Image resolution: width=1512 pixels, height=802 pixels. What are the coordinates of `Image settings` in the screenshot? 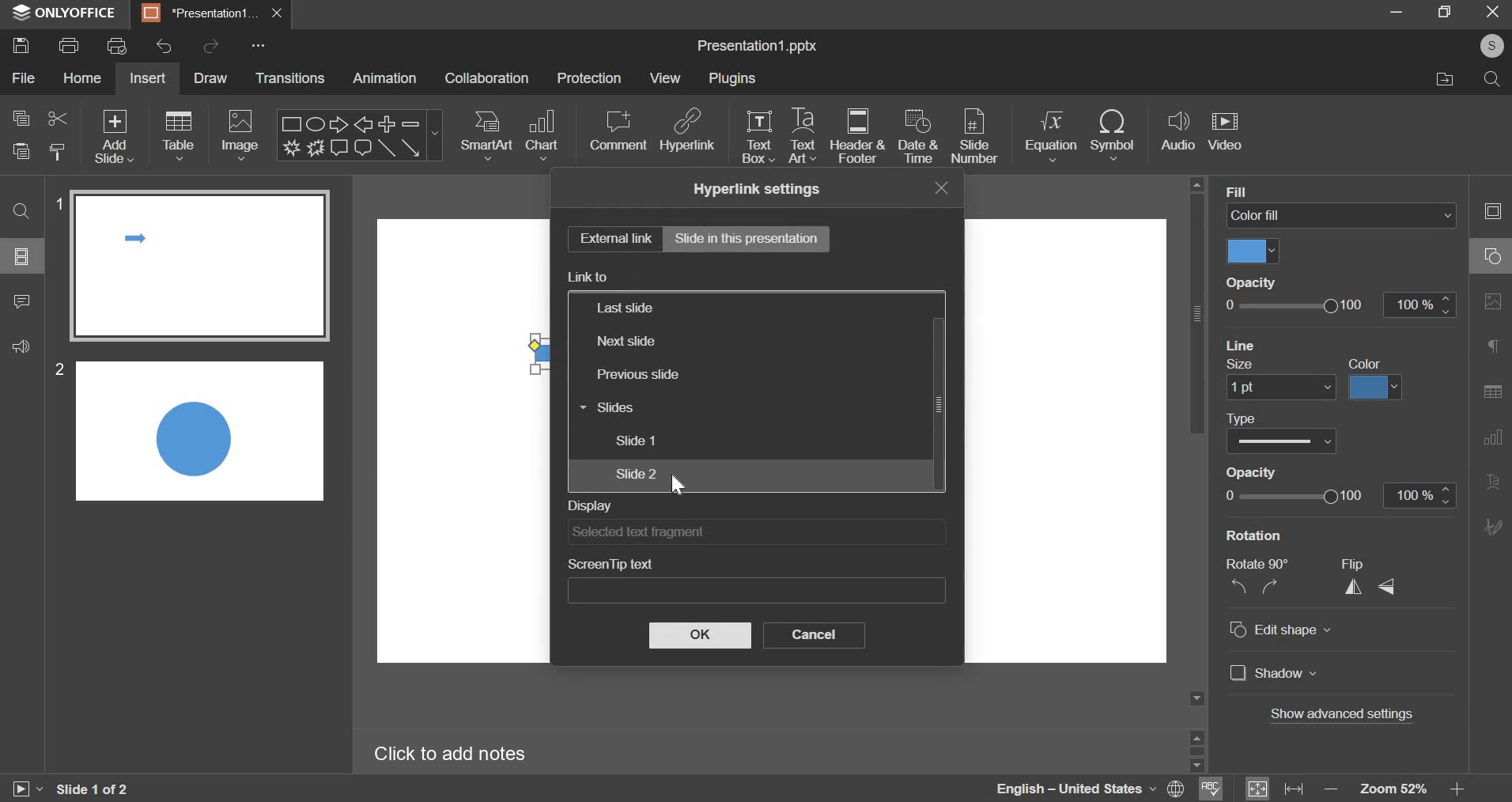 It's located at (1494, 301).